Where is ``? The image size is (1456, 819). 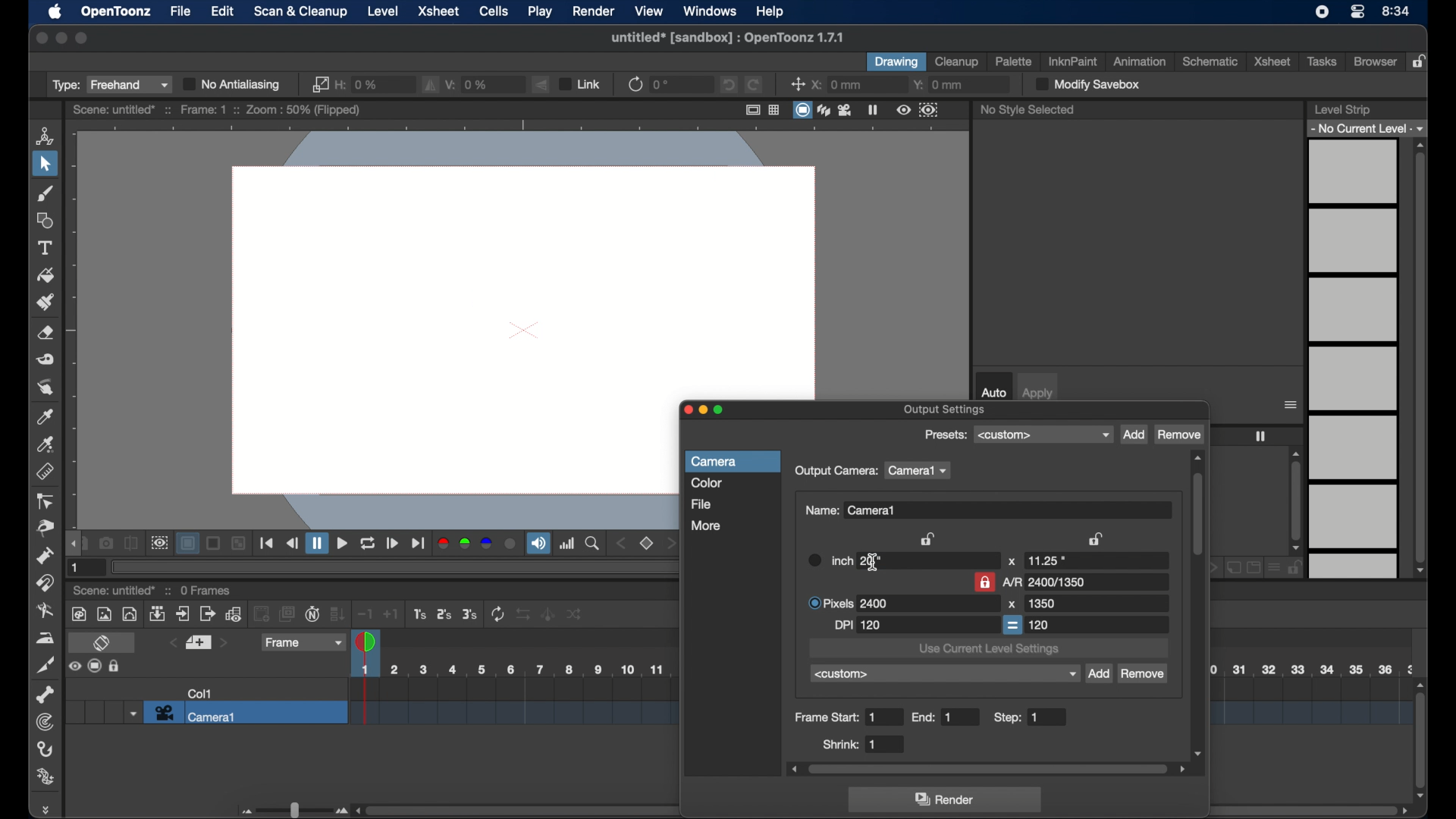  is located at coordinates (158, 614).